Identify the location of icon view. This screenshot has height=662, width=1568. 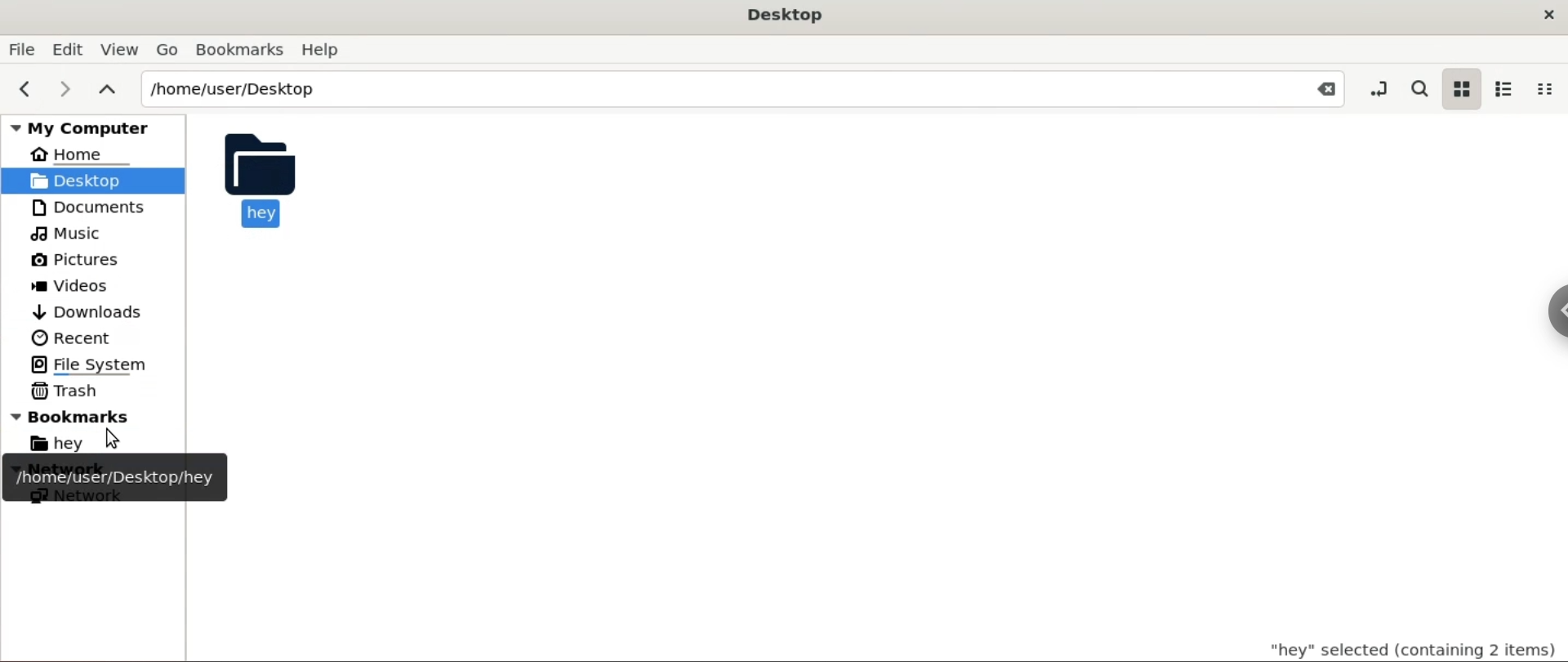
(1459, 89).